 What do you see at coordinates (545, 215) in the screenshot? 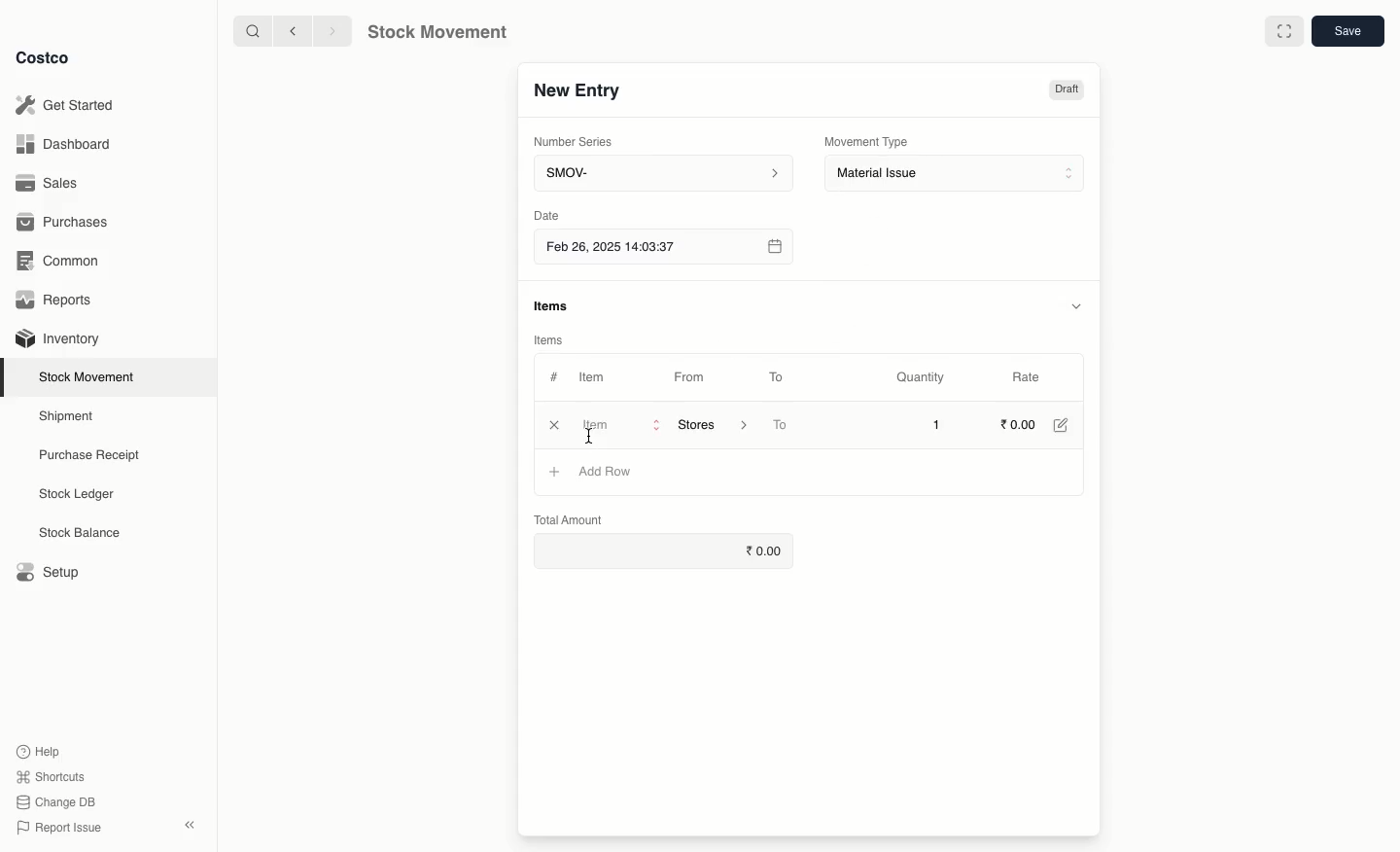
I see `Date` at bounding box center [545, 215].